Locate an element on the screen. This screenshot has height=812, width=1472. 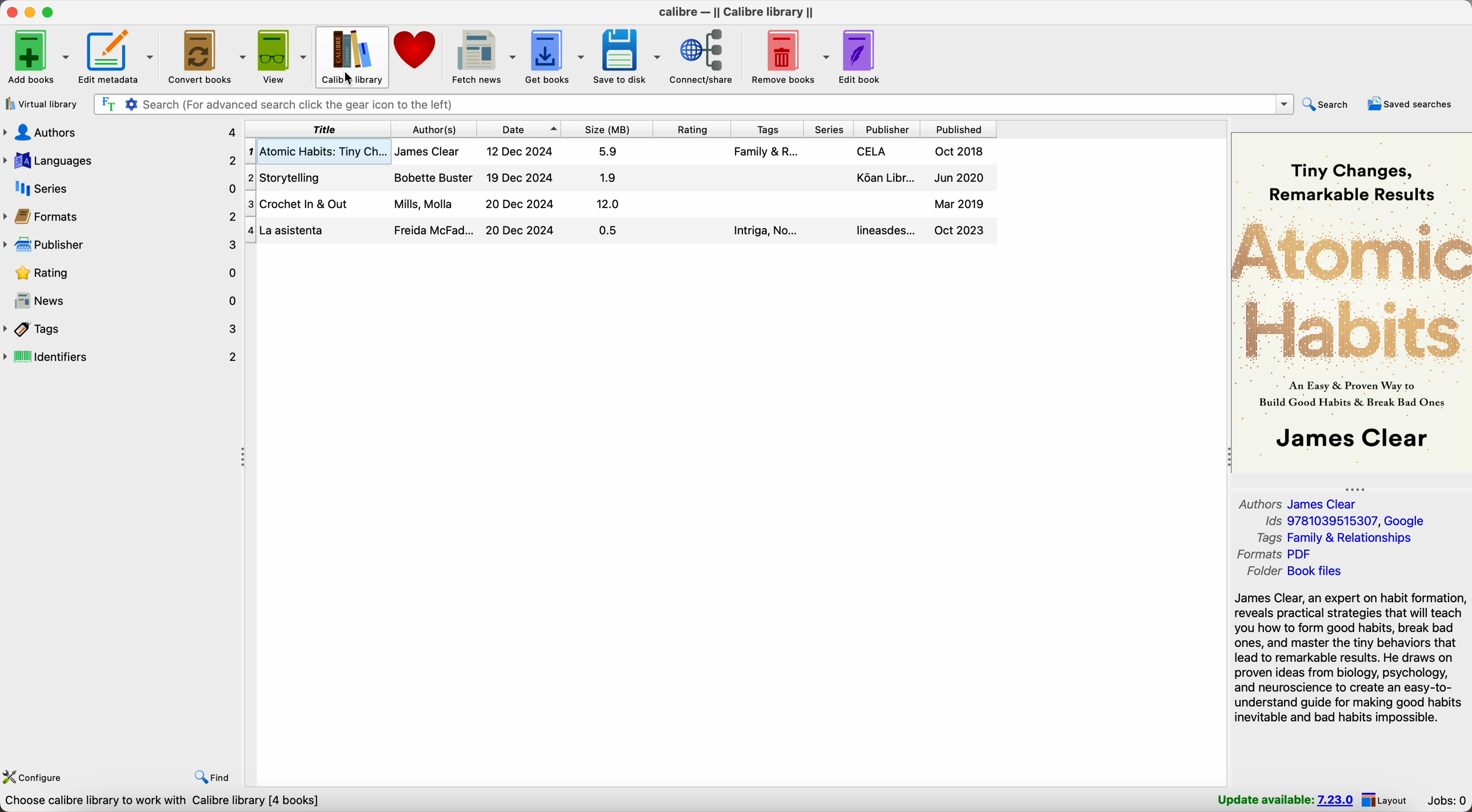
tags Family & Relationships is located at coordinates (1338, 539).